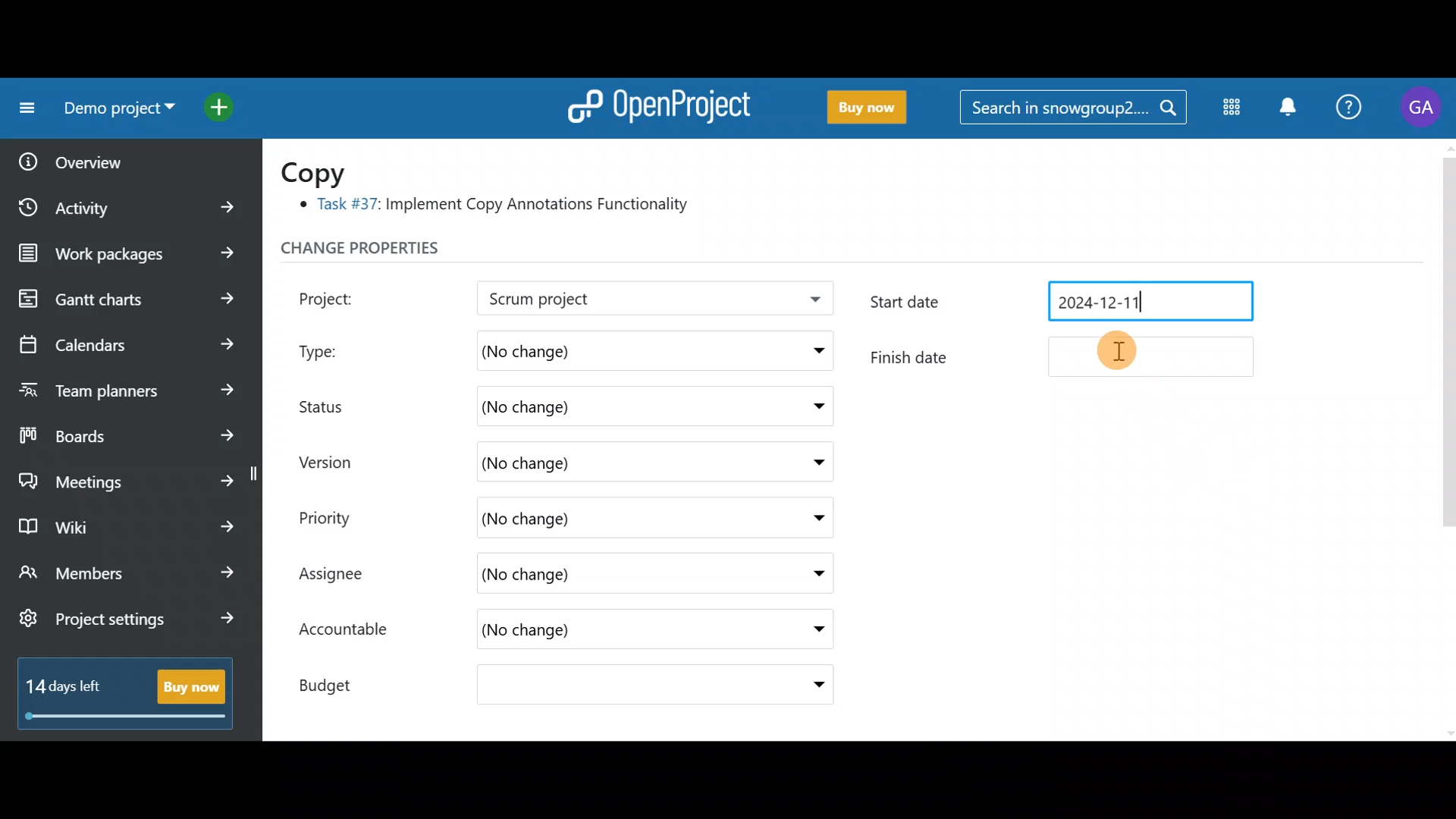 This screenshot has width=1456, height=819. Describe the element at coordinates (345, 297) in the screenshot. I see `Project` at that location.